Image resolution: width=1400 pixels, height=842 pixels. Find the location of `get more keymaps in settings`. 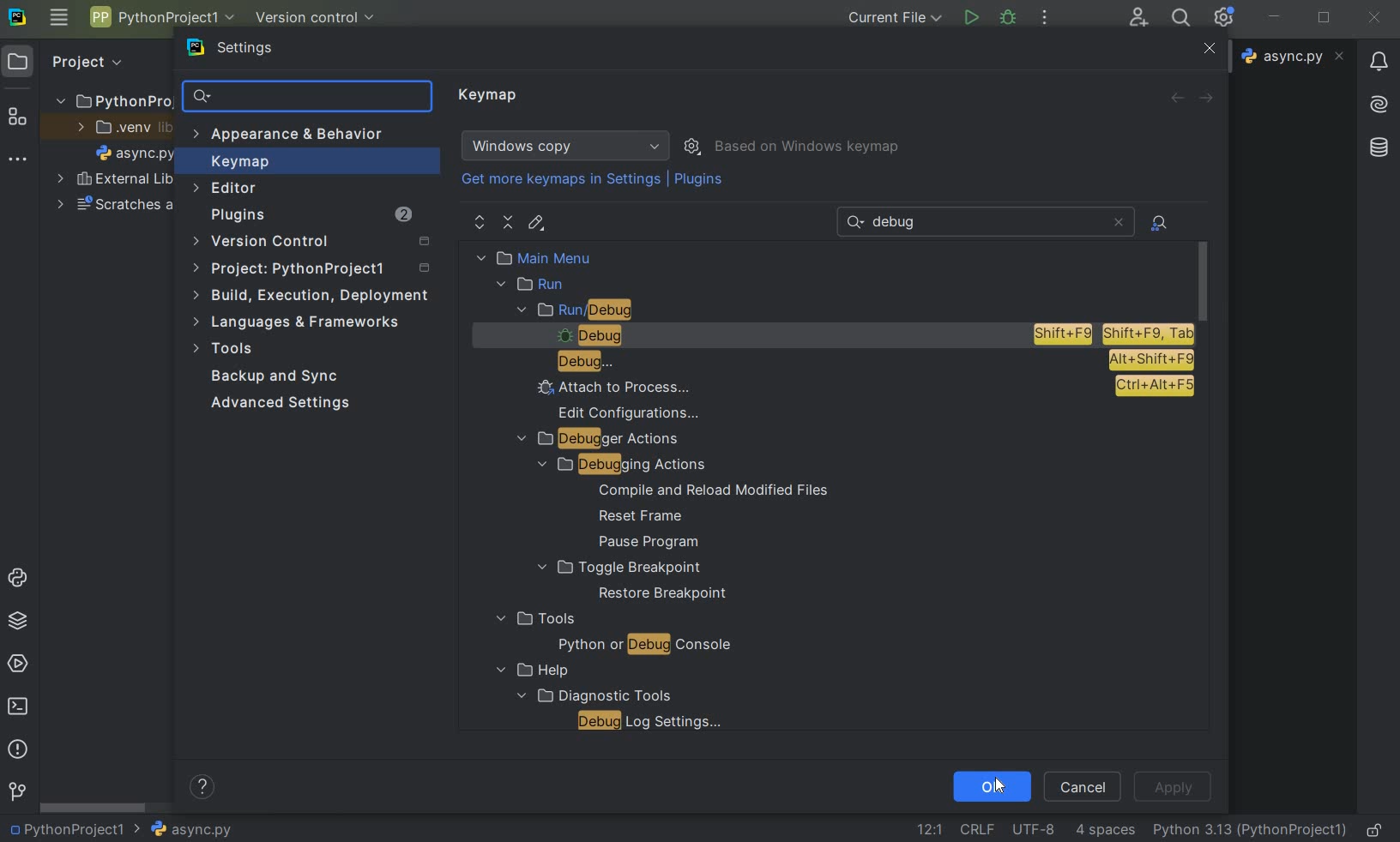

get more keymaps in settings is located at coordinates (563, 182).